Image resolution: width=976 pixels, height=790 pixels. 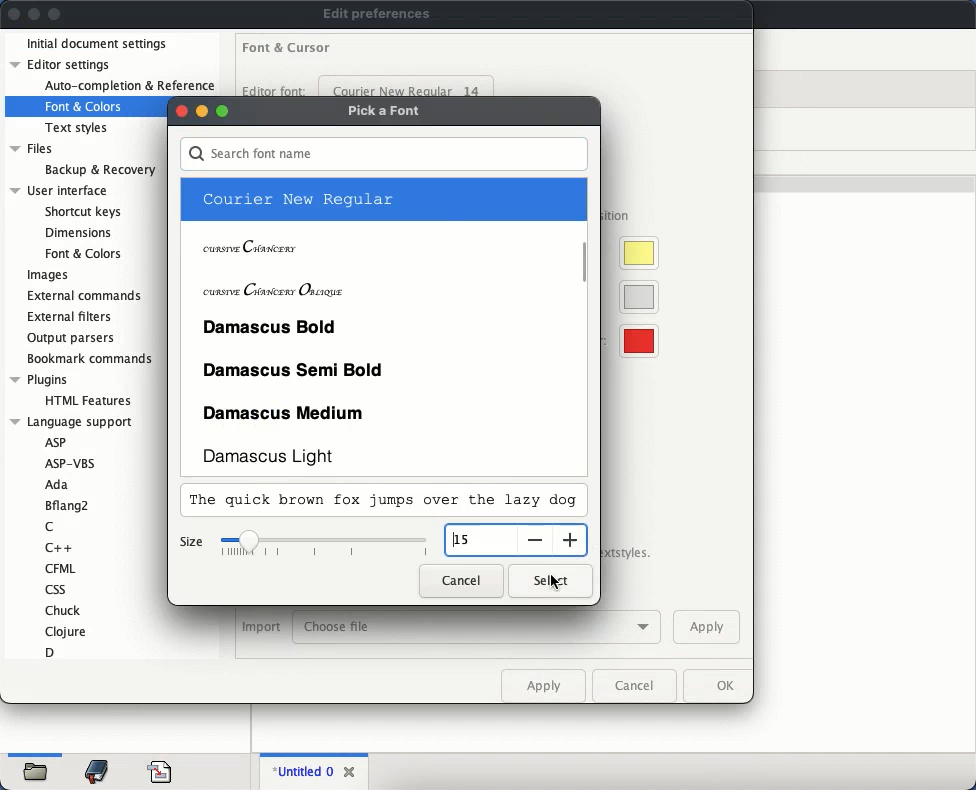 What do you see at coordinates (287, 45) in the screenshot?
I see `font and cursor` at bounding box center [287, 45].